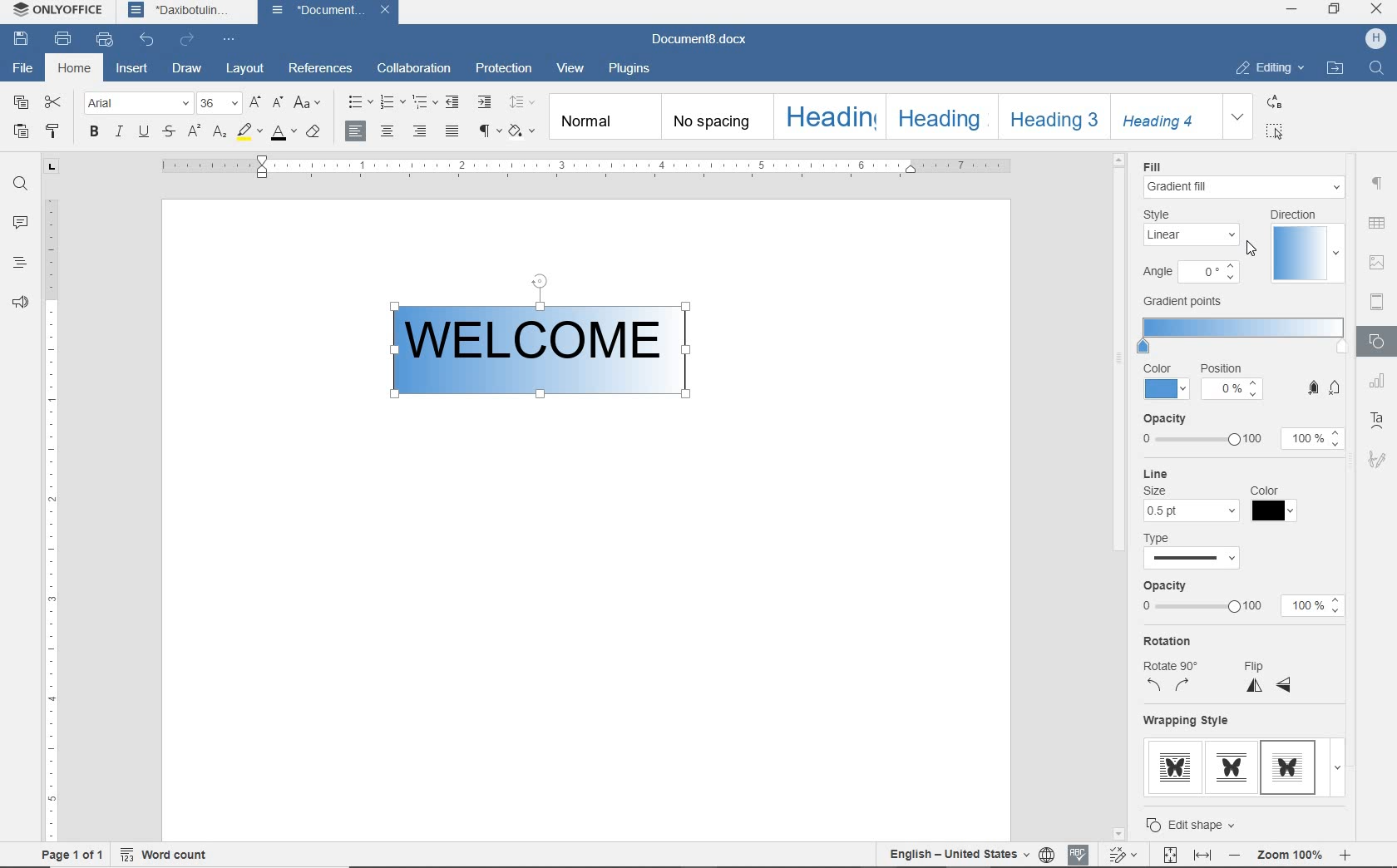  What do you see at coordinates (1336, 11) in the screenshot?
I see `RESTORE DOWN` at bounding box center [1336, 11].